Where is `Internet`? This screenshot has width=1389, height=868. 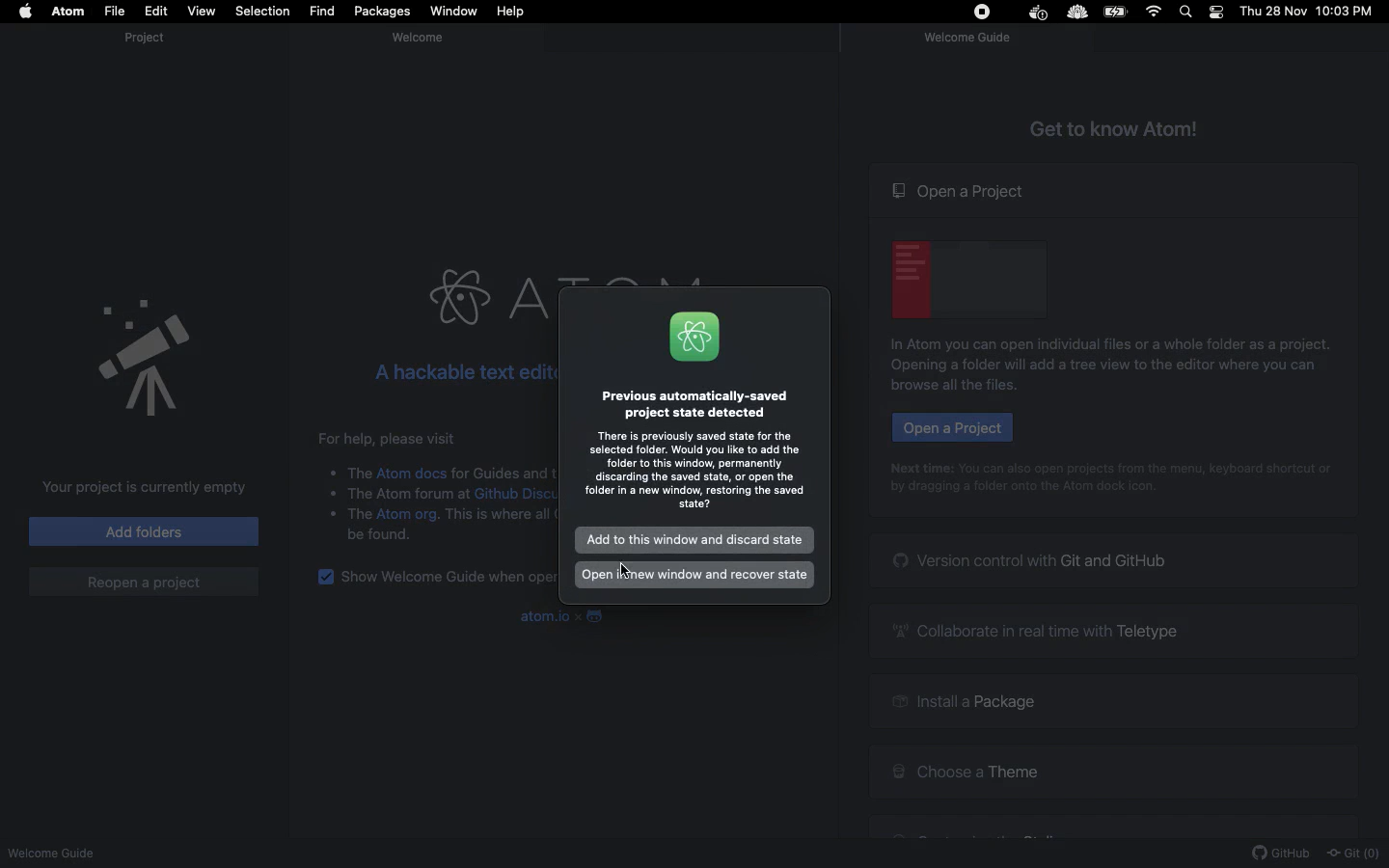 Internet is located at coordinates (1156, 12).